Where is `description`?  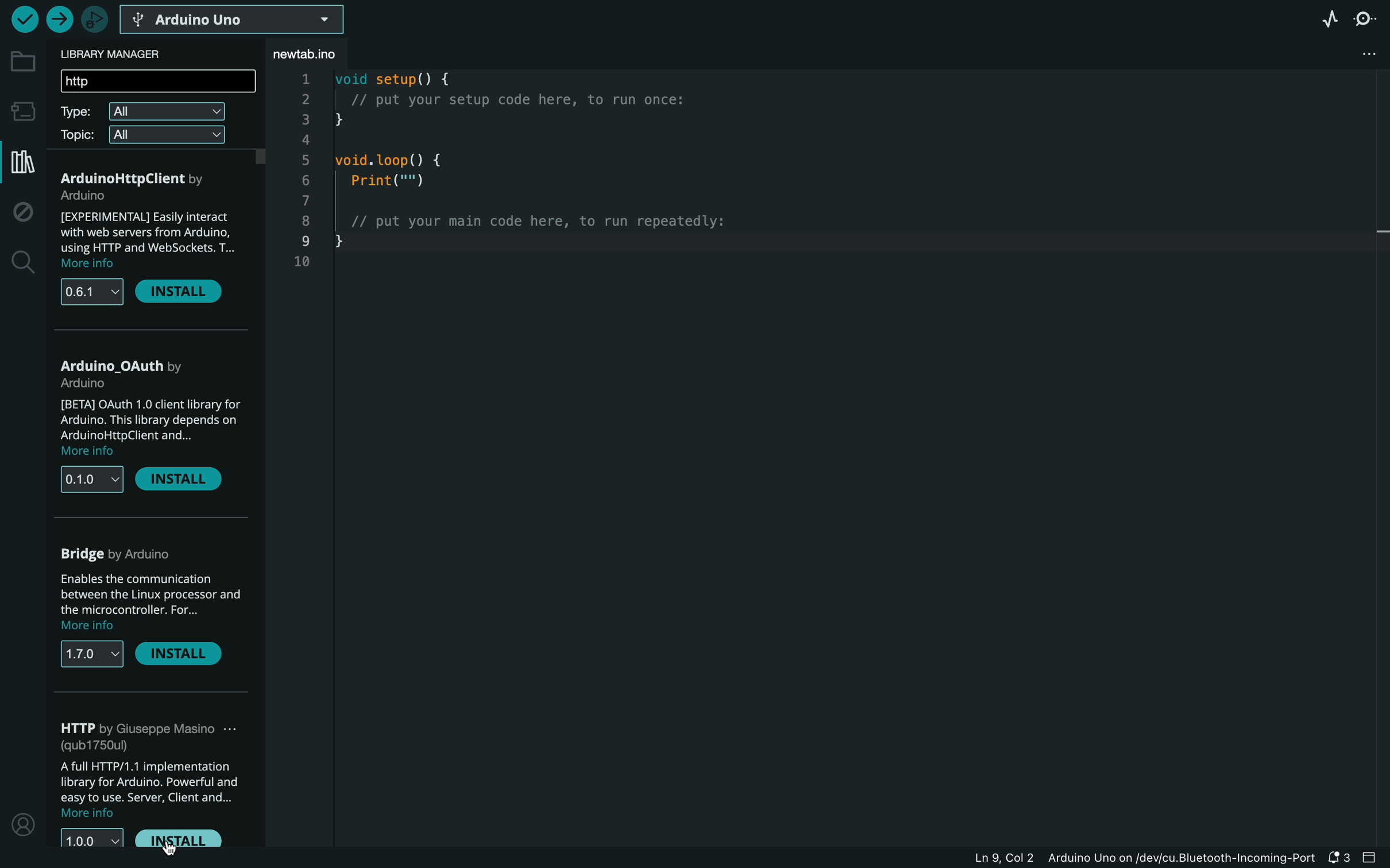
description is located at coordinates (147, 424).